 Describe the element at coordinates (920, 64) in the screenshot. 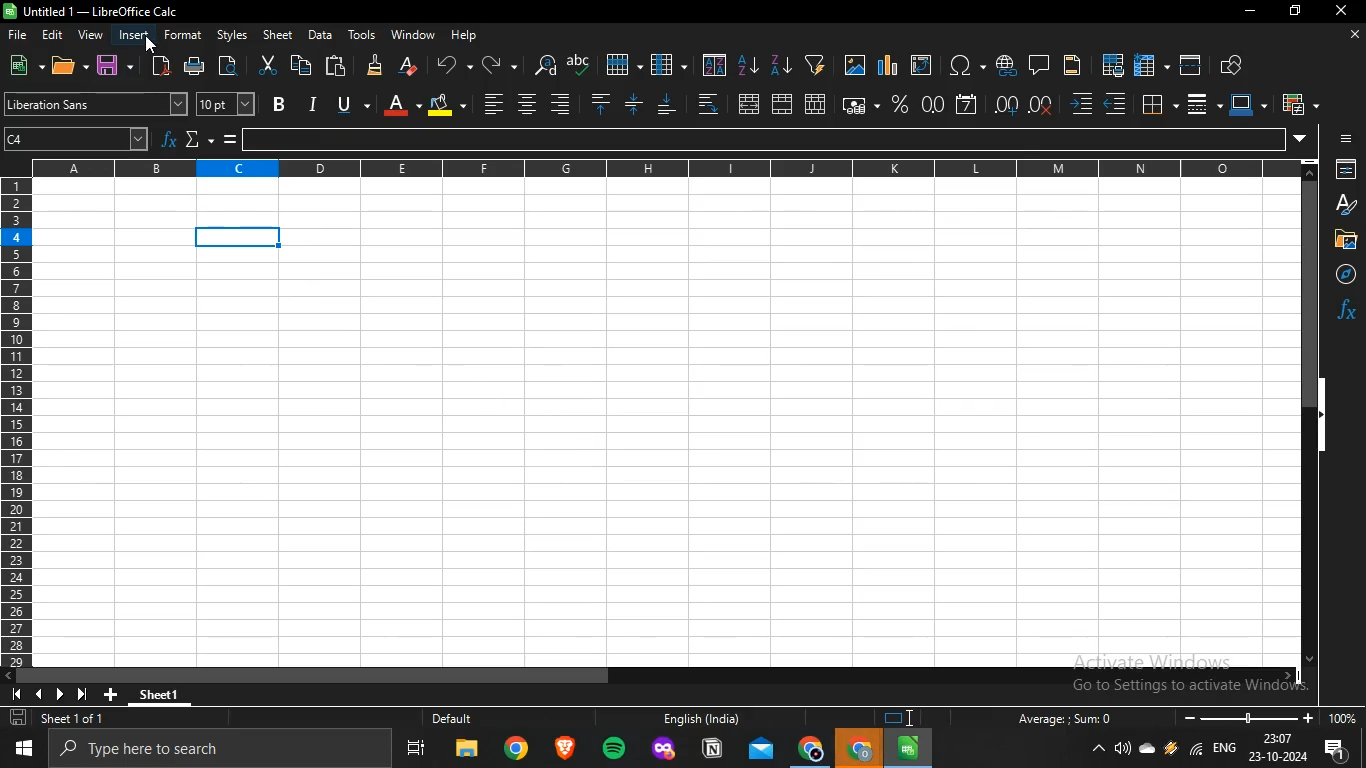

I see `insert or edit pivot table` at that location.